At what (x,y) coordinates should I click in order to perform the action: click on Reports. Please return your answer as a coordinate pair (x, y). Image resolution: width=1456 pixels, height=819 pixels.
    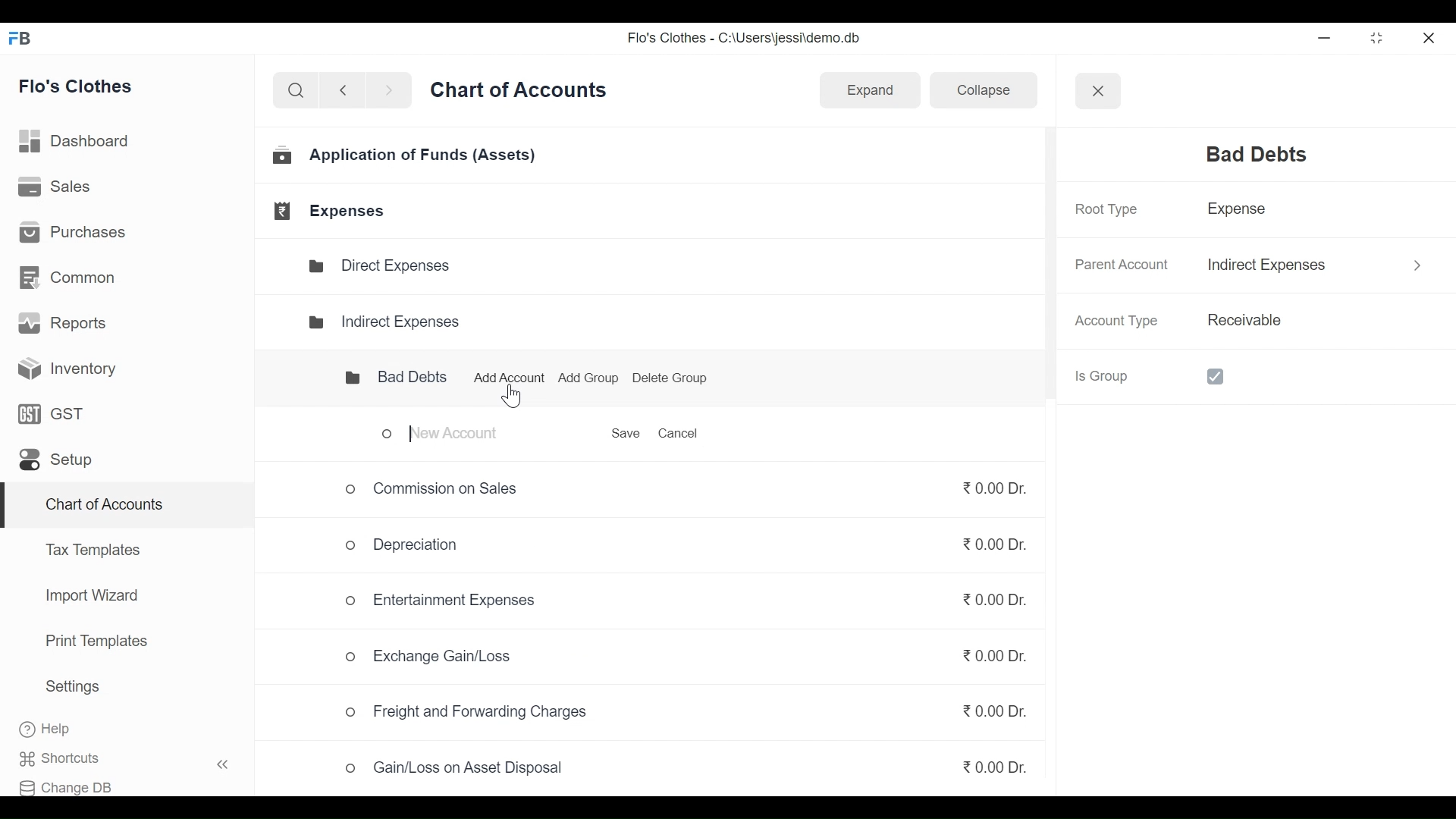
    Looking at the image, I should click on (65, 326).